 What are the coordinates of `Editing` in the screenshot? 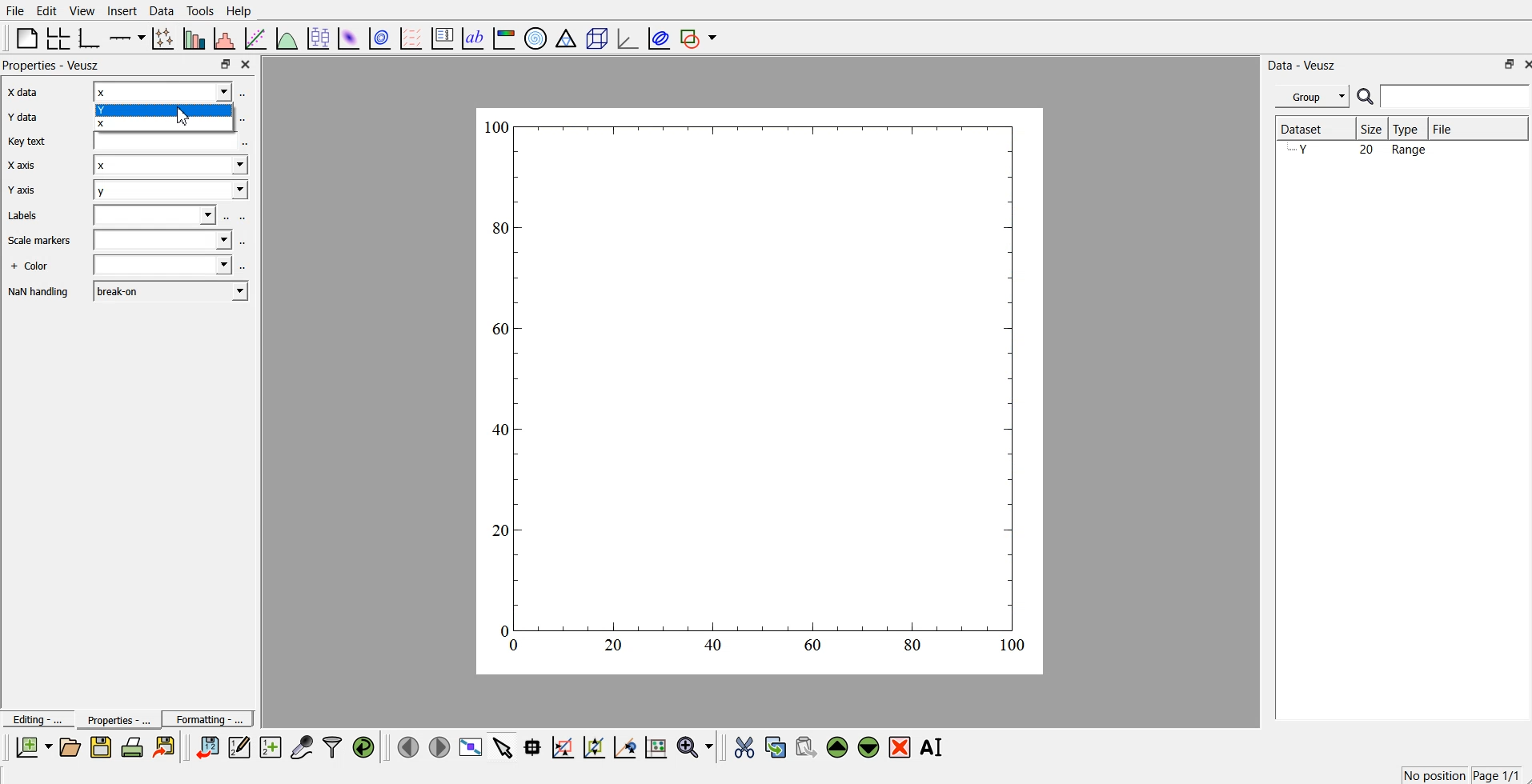 It's located at (36, 718).